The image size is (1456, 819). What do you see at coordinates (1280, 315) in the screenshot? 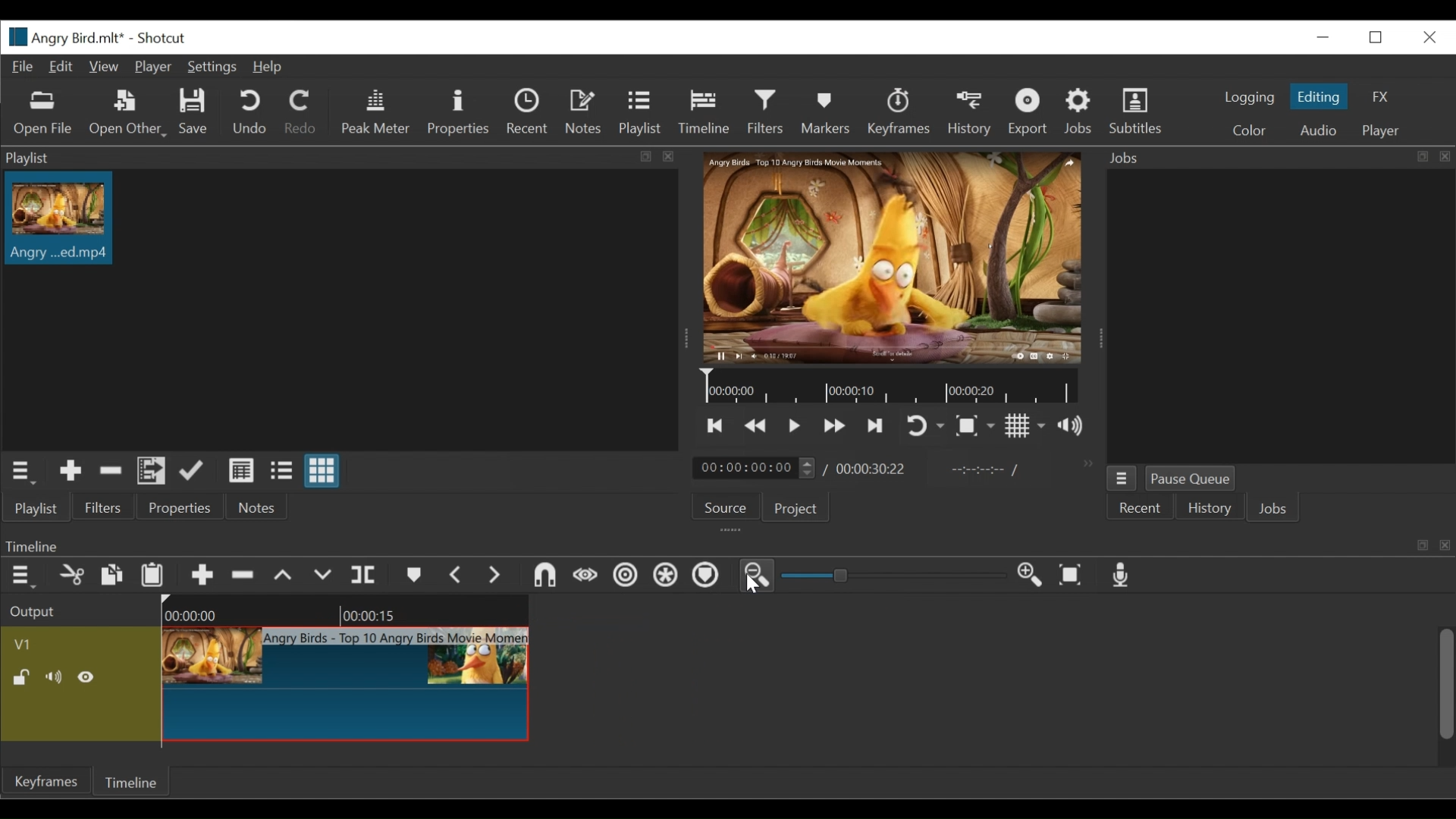
I see `Jobs Panel` at bounding box center [1280, 315].